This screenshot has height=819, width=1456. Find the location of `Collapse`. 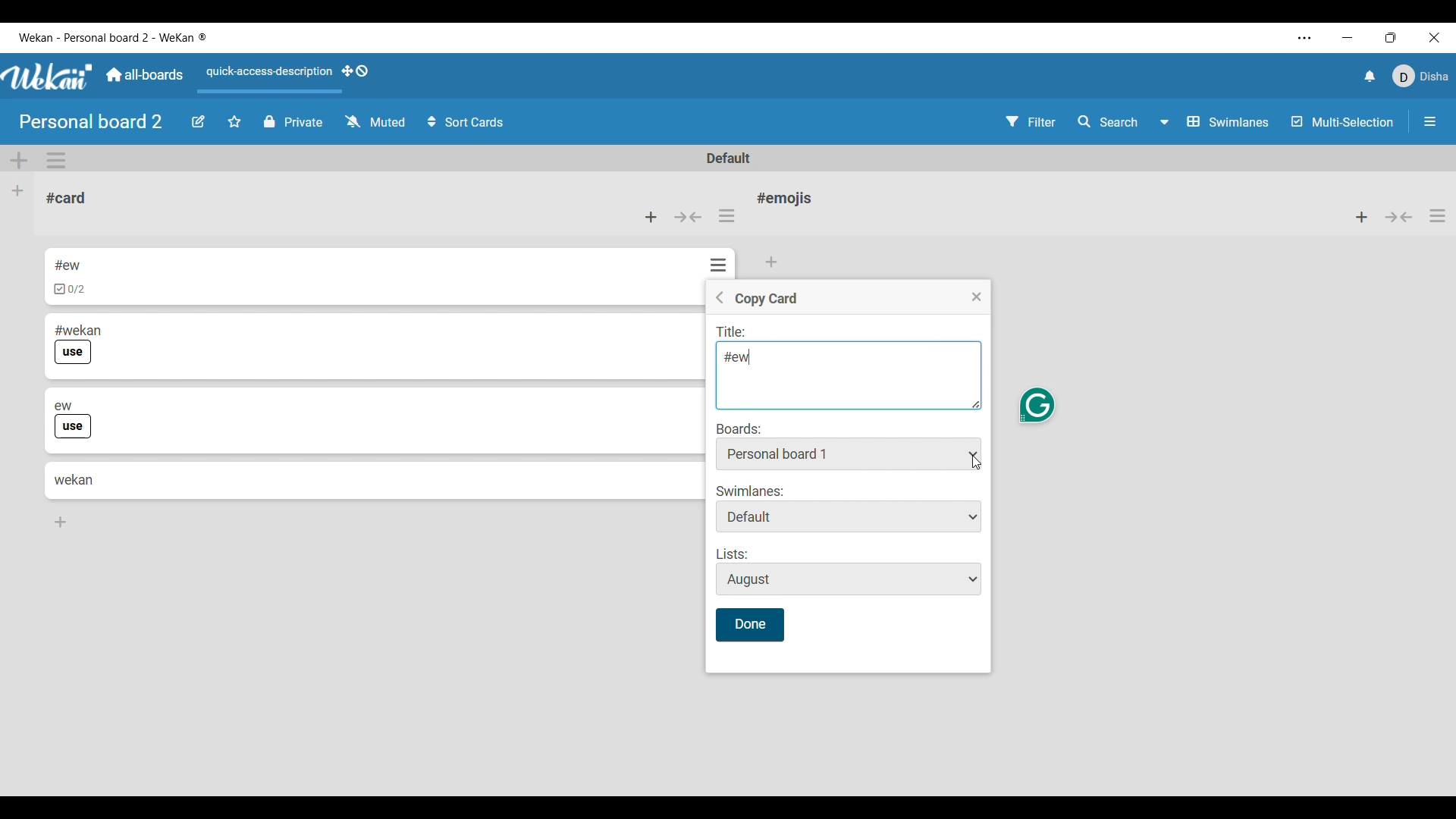

Collapse is located at coordinates (687, 218).